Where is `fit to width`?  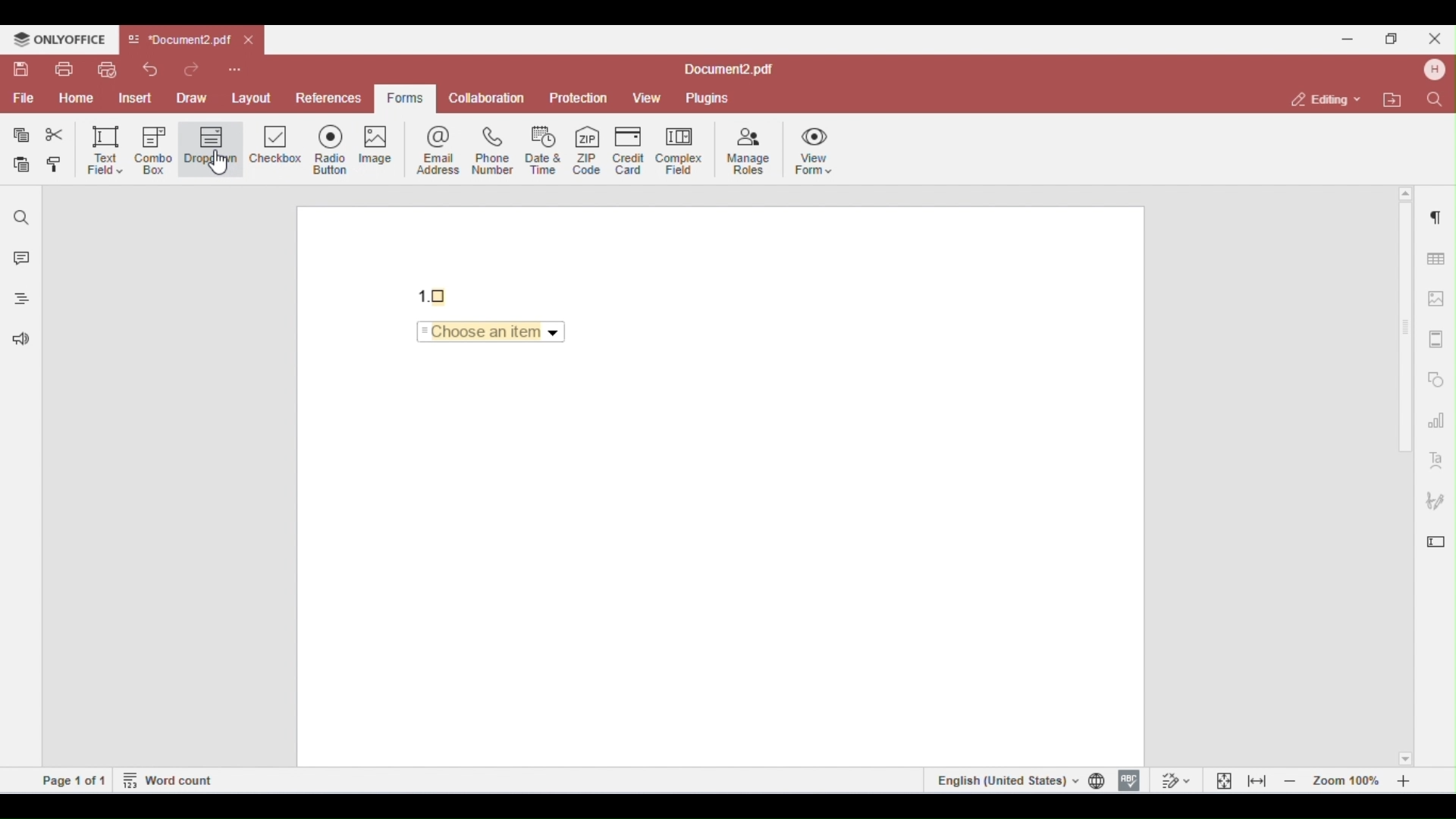
fit to width is located at coordinates (1257, 780).